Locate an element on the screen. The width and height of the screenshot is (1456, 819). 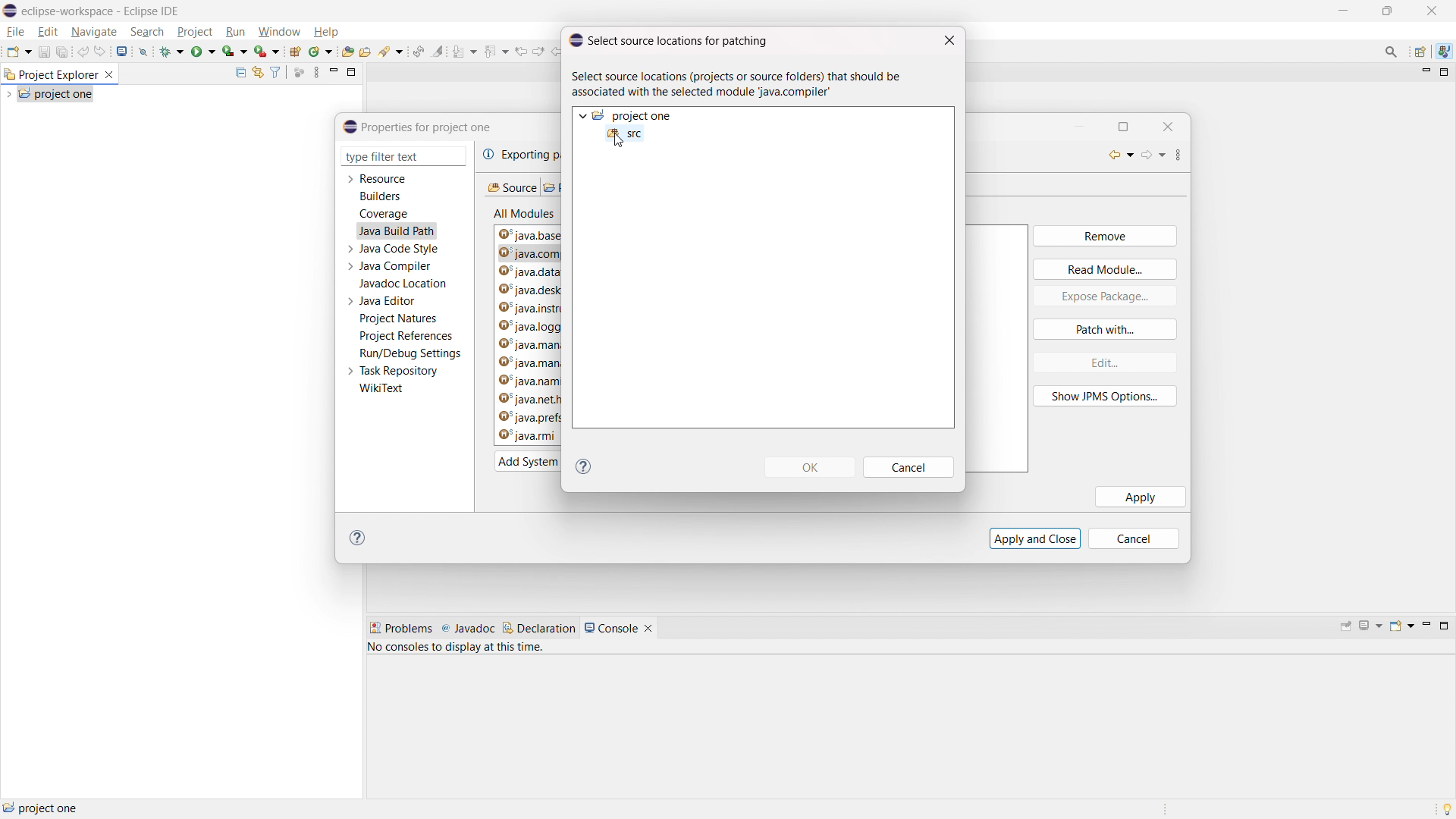
tip of the day is located at coordinates (1447, 808).